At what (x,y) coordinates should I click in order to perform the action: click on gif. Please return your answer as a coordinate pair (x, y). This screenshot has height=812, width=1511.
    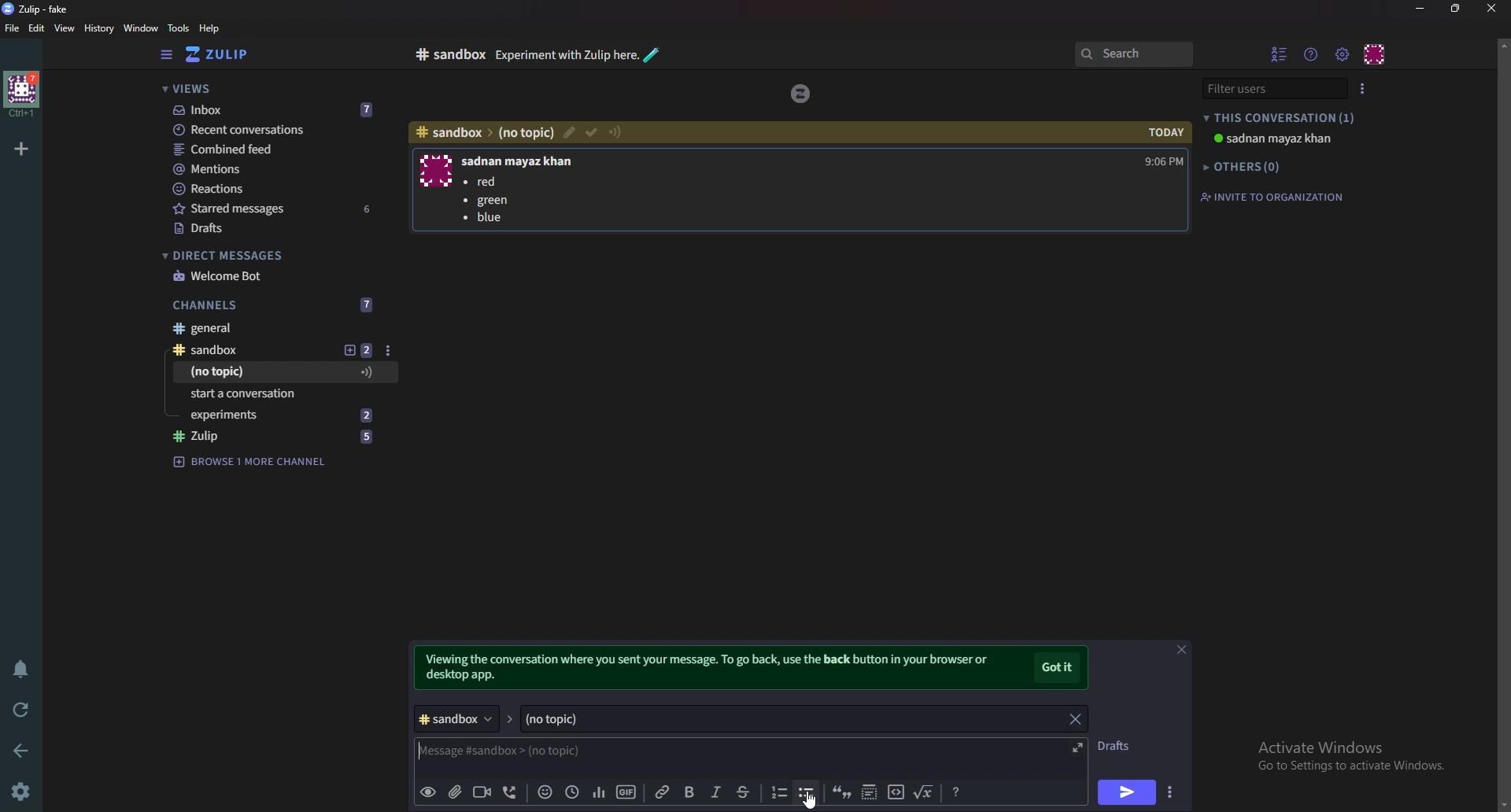
    Looking at the image, I should click on (626, 792).